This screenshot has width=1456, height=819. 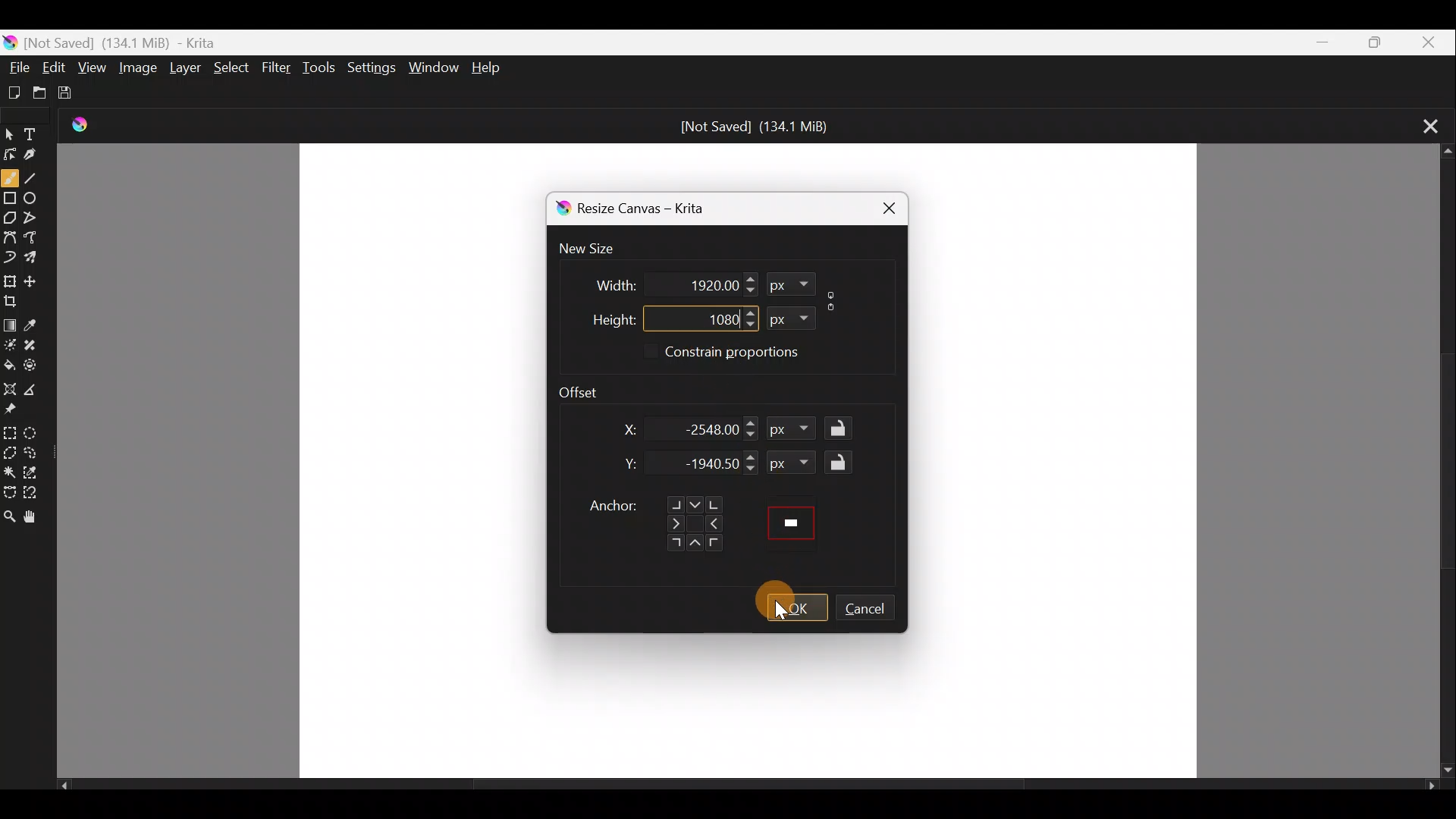 I want to click on Reference images tool, so click(x=12, y=411).